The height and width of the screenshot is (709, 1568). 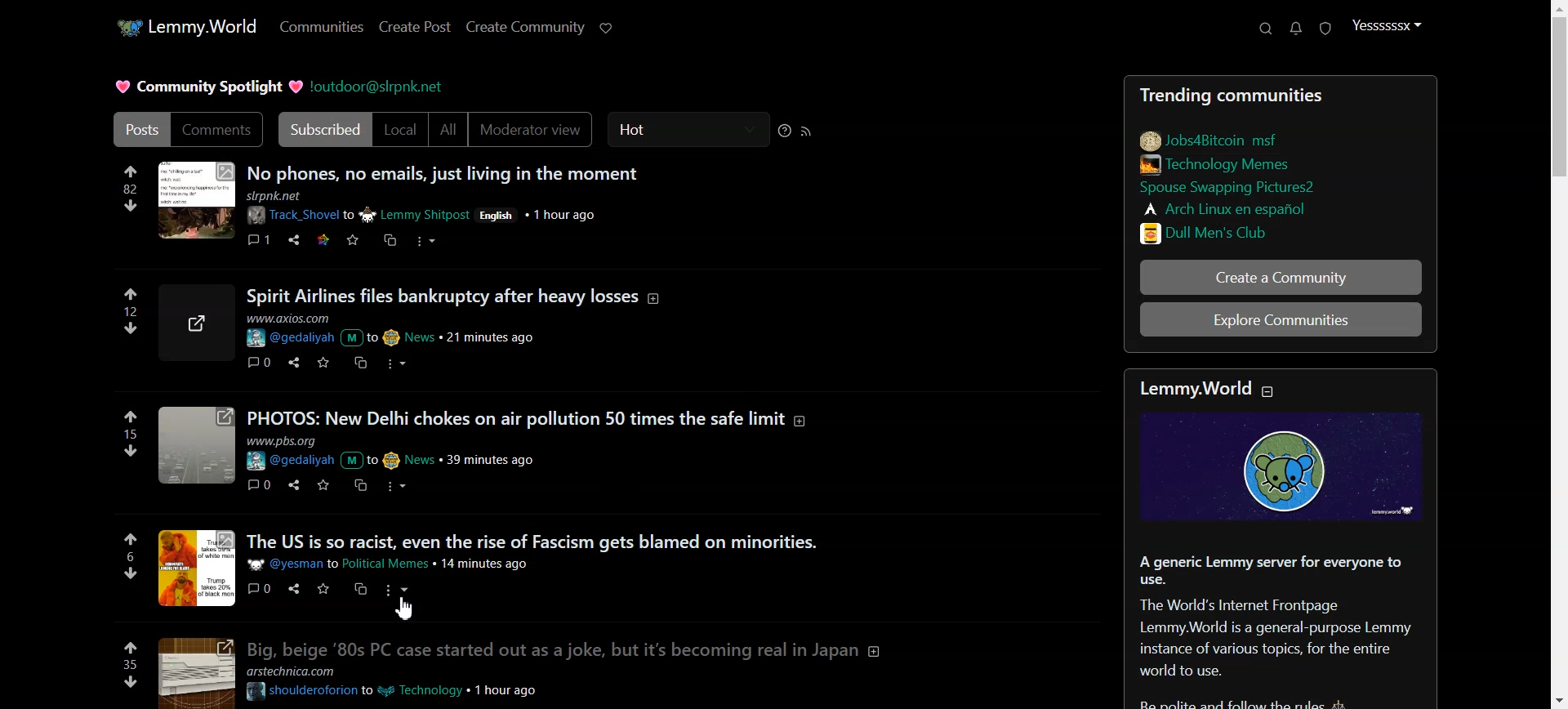 What do you see at coordinates (573, 649) in the screenshot?
I see `post` at bounding box center [573, 649].